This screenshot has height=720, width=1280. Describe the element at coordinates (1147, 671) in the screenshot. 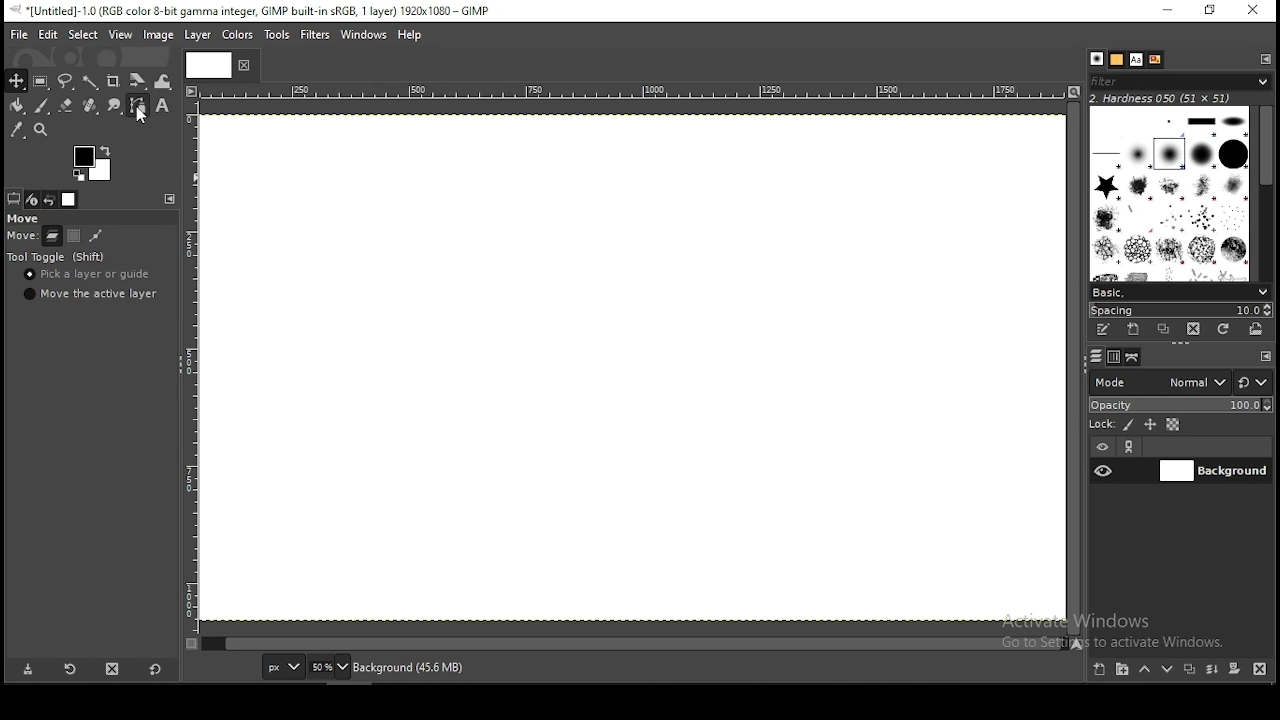

I see `move layer one step up` at that location.